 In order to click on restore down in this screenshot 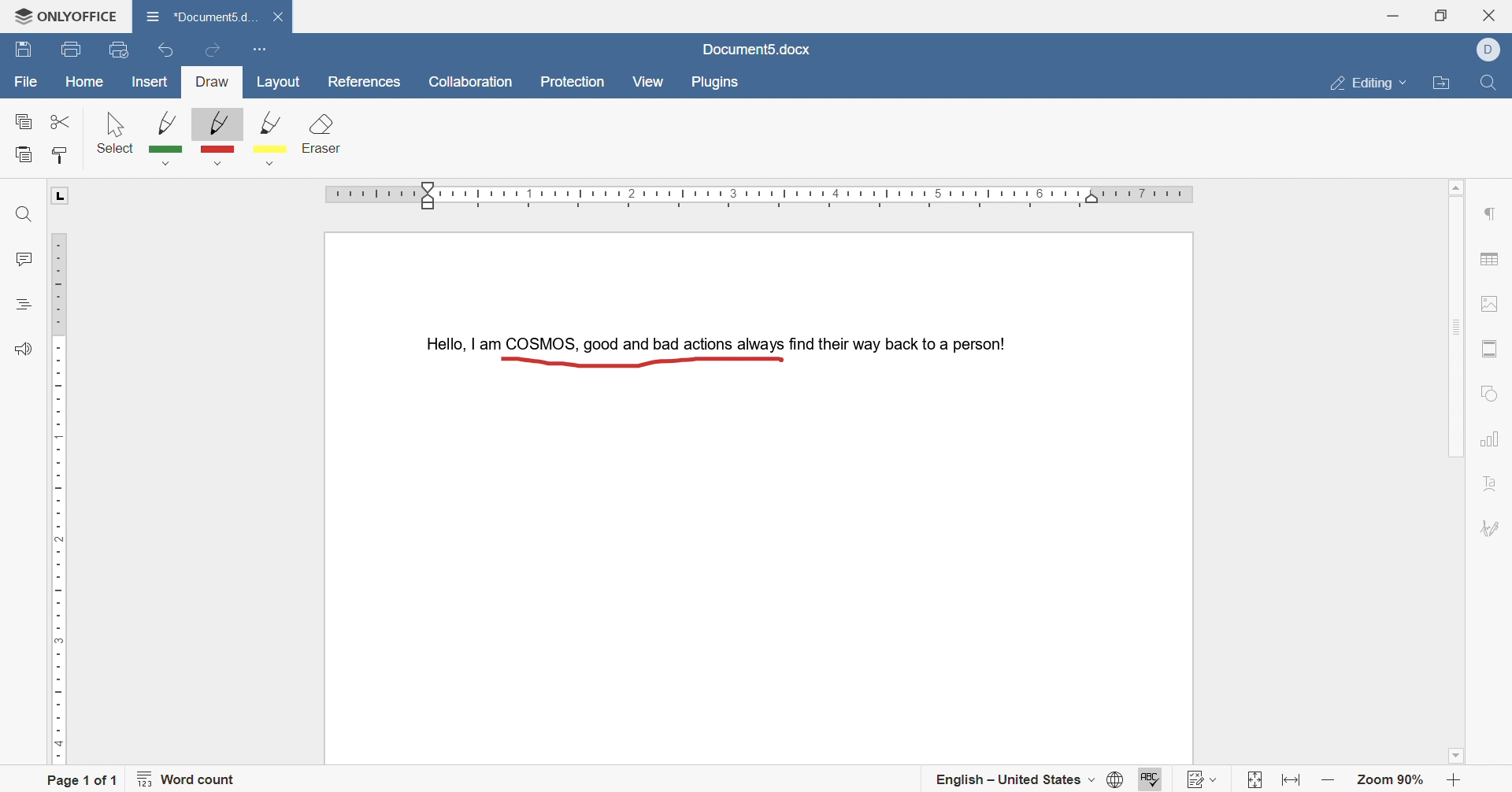, I will do `click(1441, 15)`.